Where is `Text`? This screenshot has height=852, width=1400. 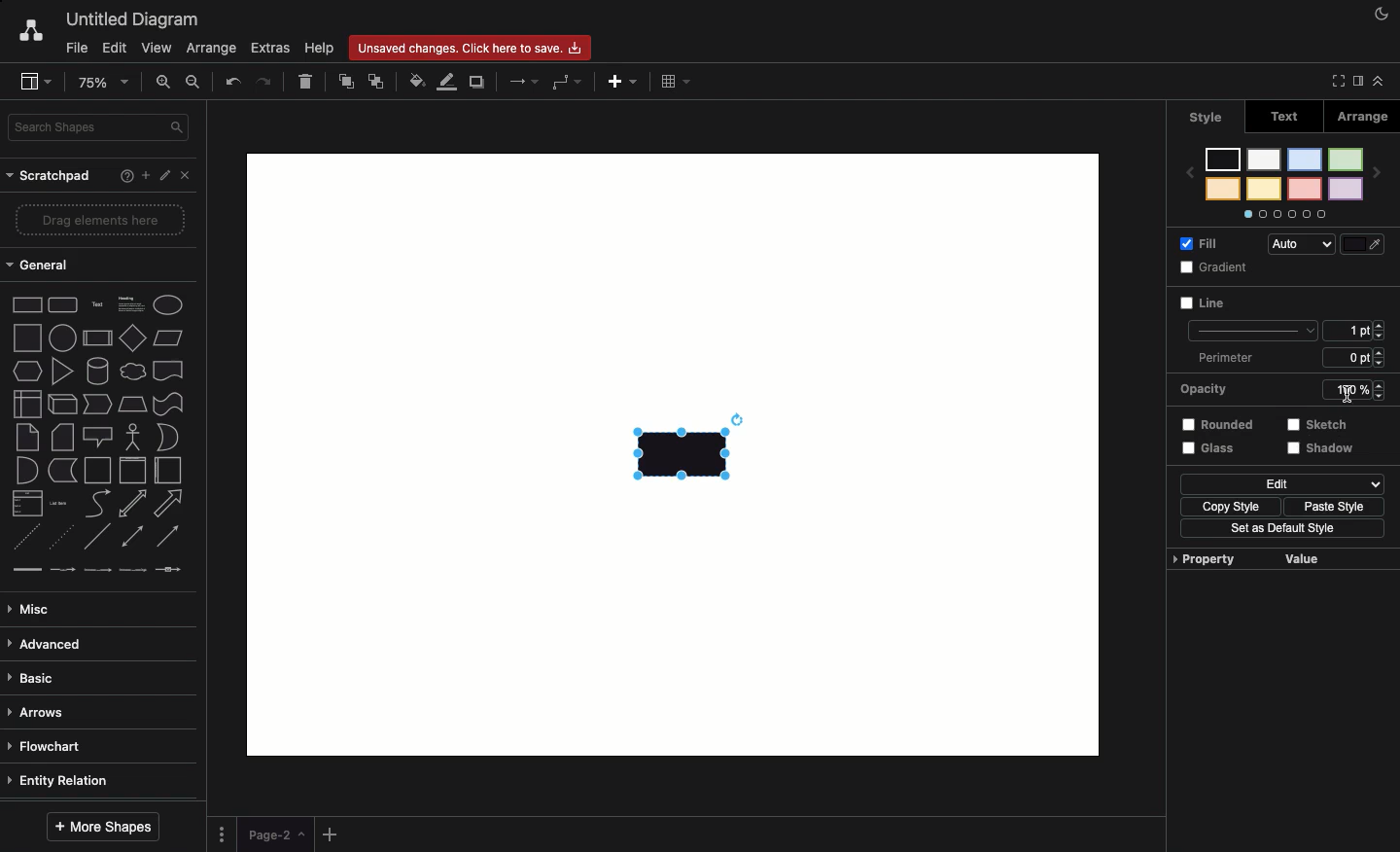 Text is located at coordinates (98, 305).